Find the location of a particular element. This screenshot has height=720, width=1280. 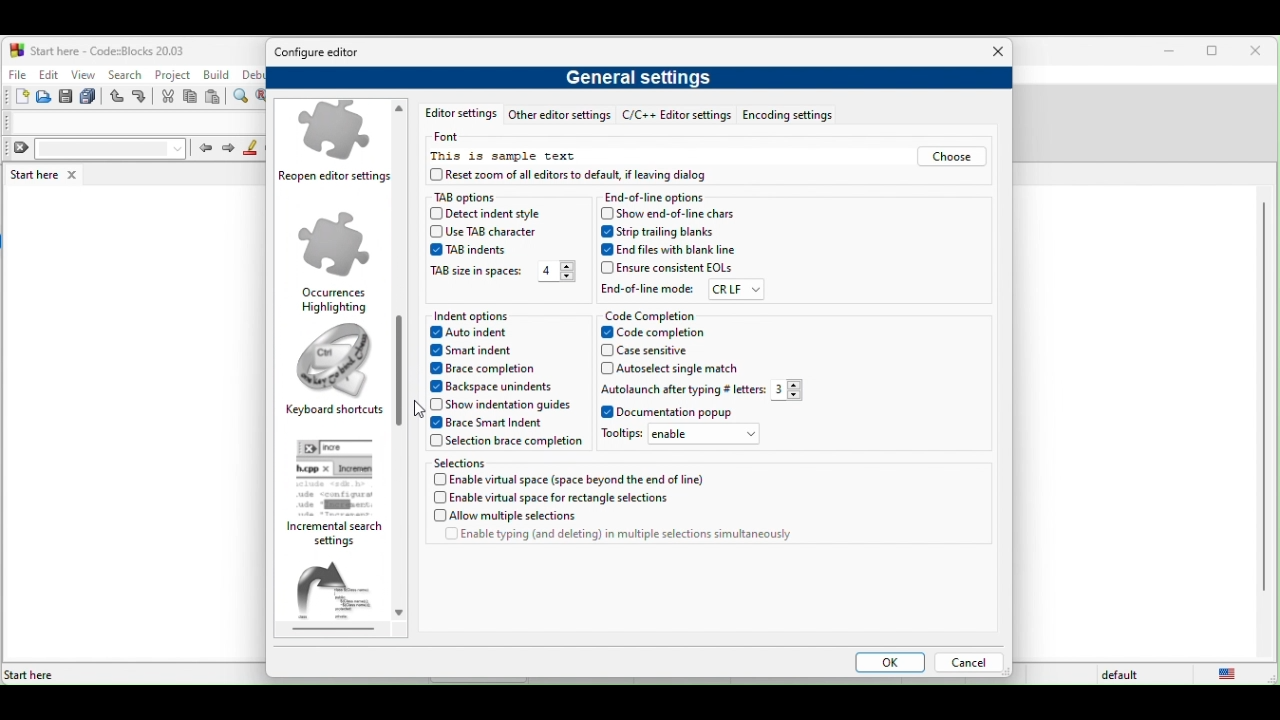

4 is located at coordinates (556, 272).